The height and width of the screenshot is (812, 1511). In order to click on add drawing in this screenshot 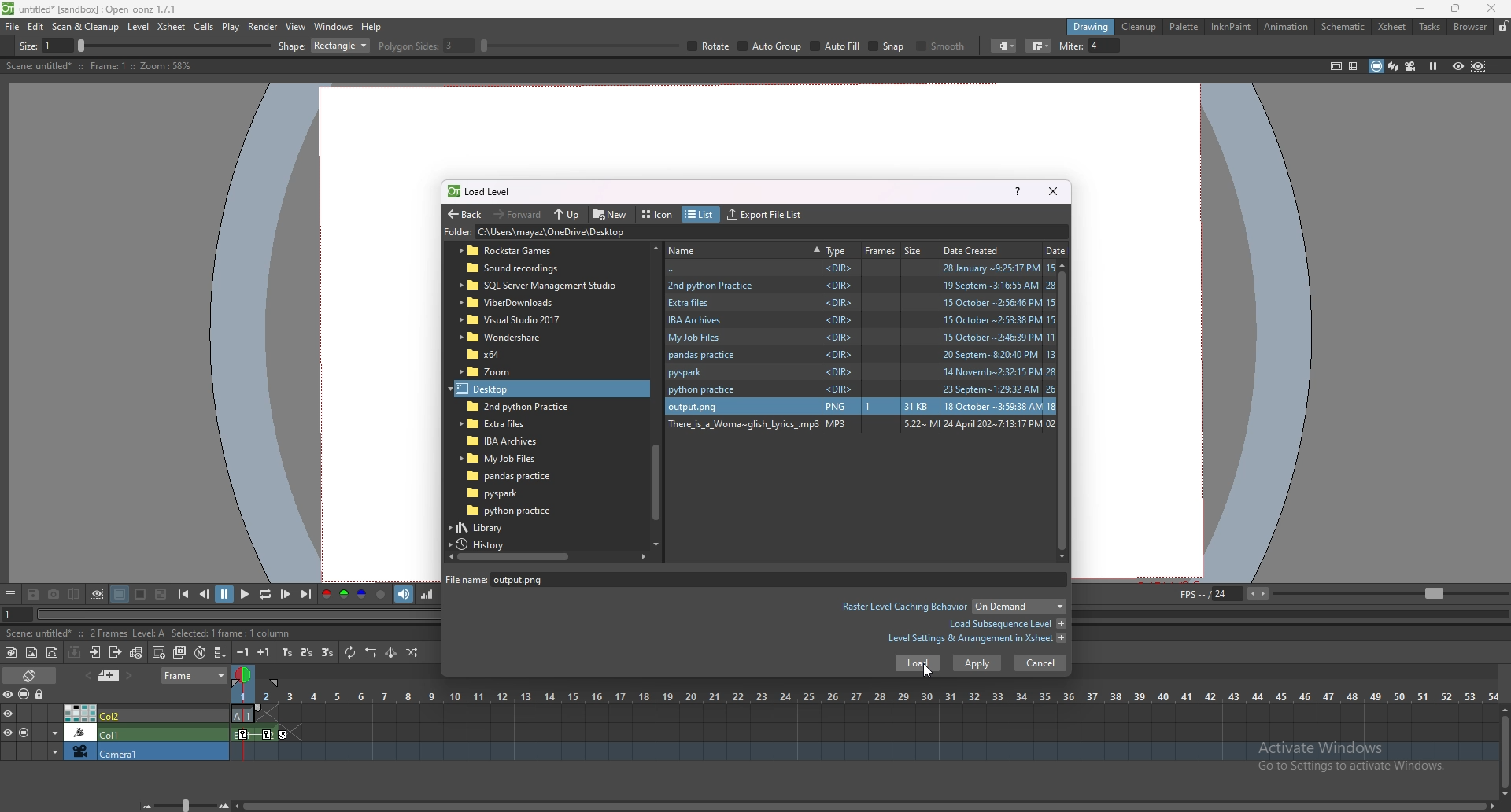, I will do `click(160, 651)`.